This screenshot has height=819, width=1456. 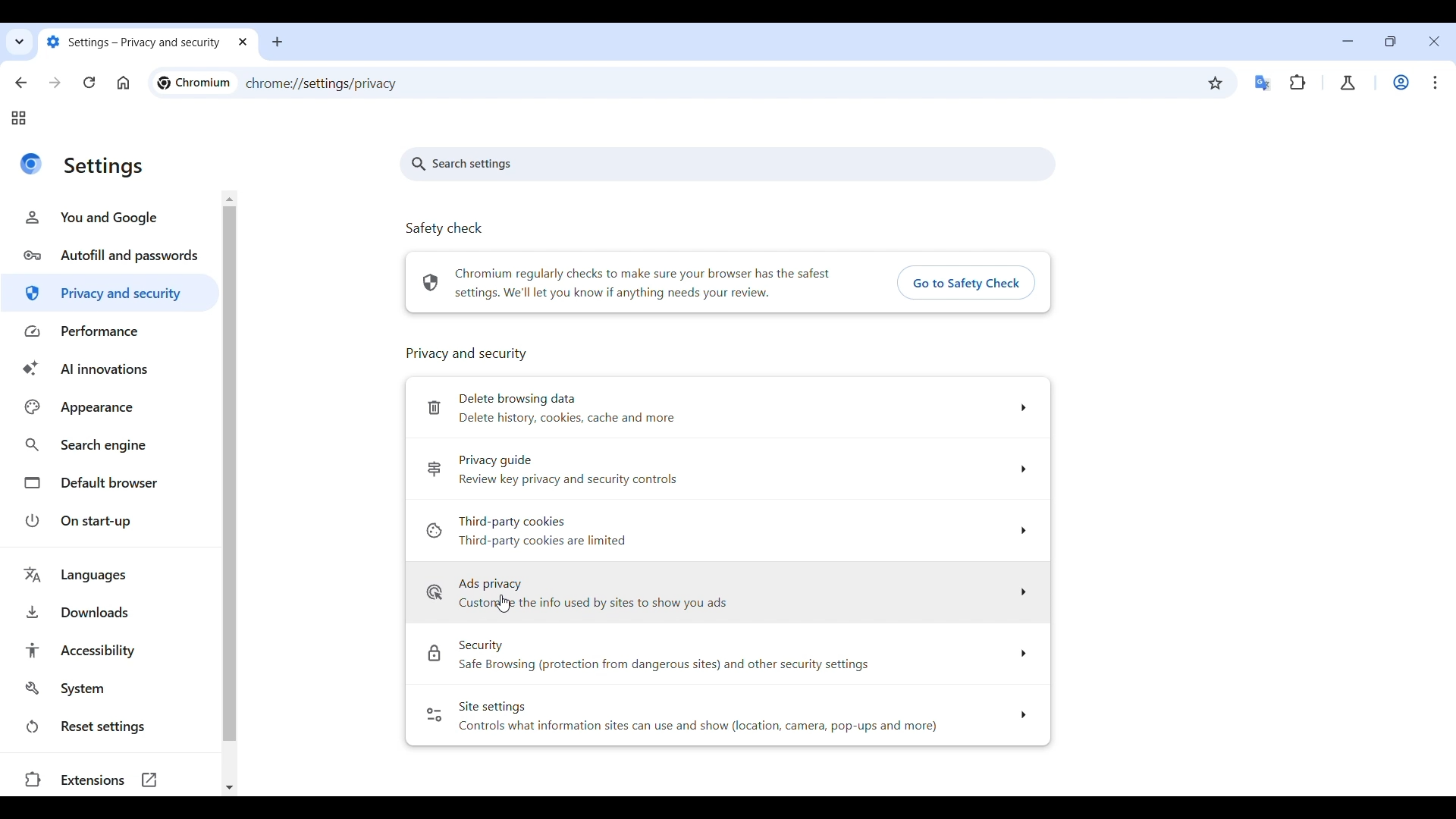 What do you see at coordinates (277, 42) in the screenshot?
I see `Add new tab` at bounding box center [277, 42].